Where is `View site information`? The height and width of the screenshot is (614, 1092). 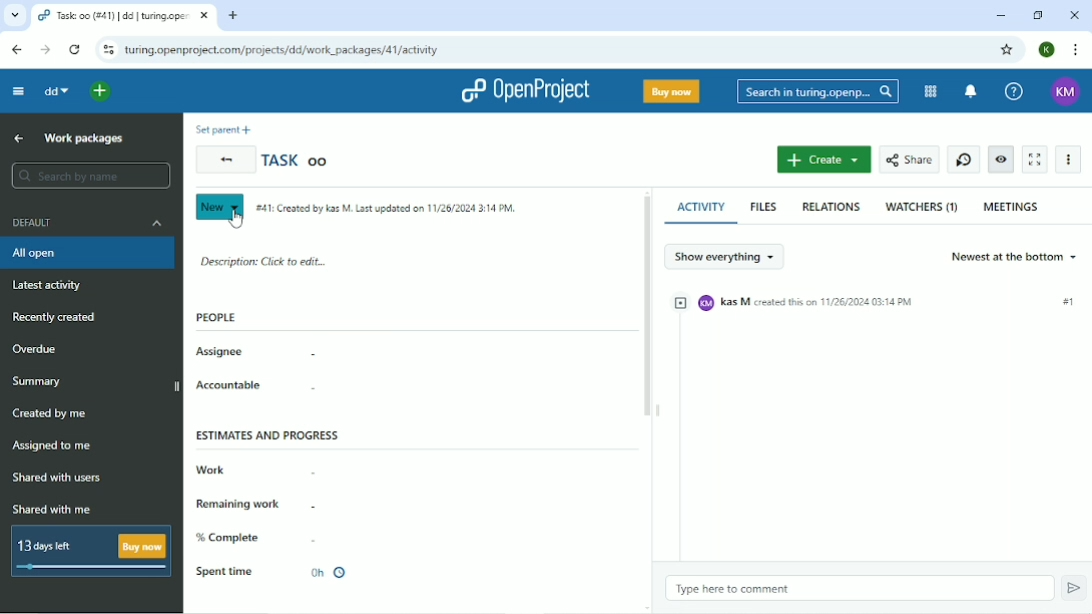
View site information is located at coordinates (108, 50).